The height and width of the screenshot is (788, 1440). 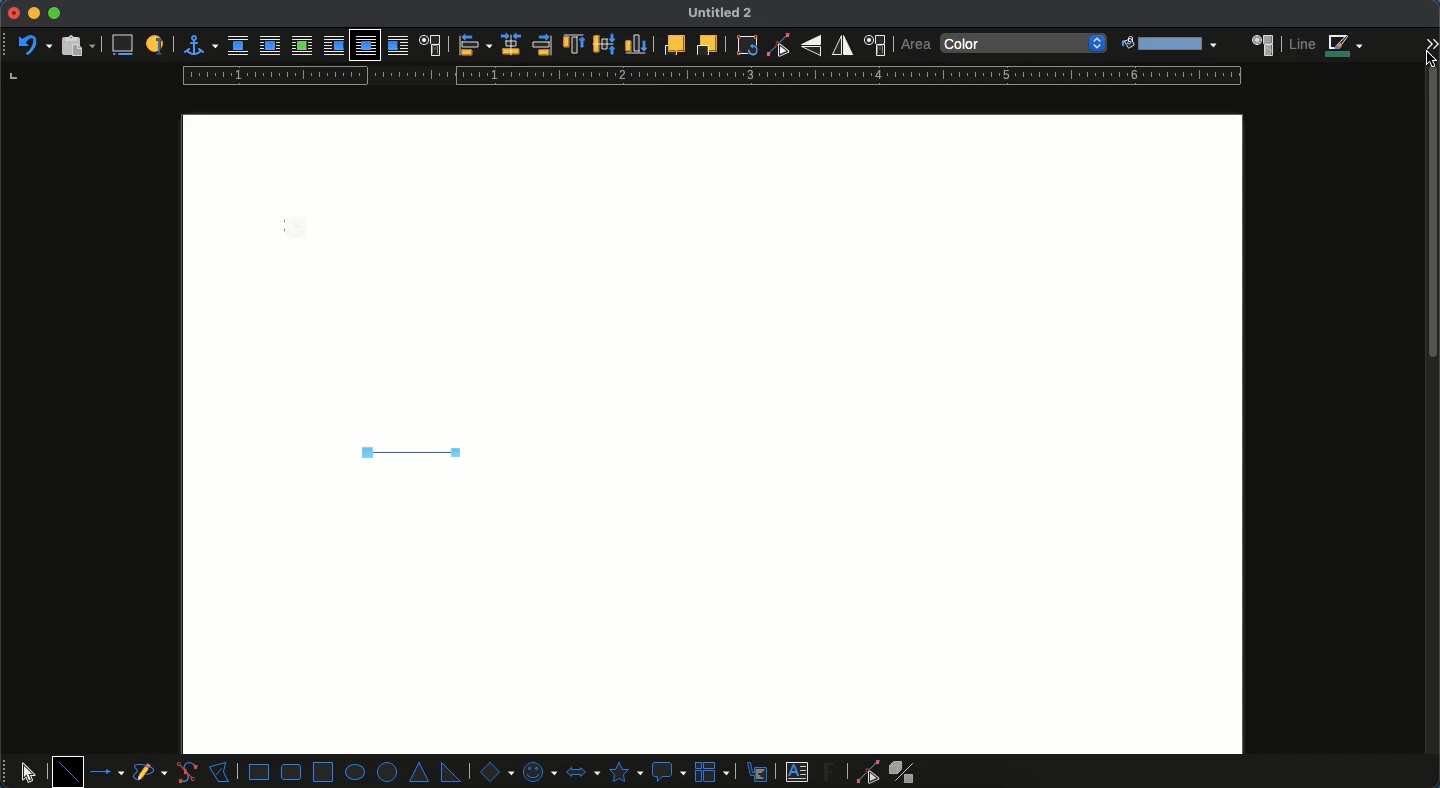 What do you see at coordinates (494, 771) in the screenshot?
I see `basic shapes` at bounding box center [494, 771].